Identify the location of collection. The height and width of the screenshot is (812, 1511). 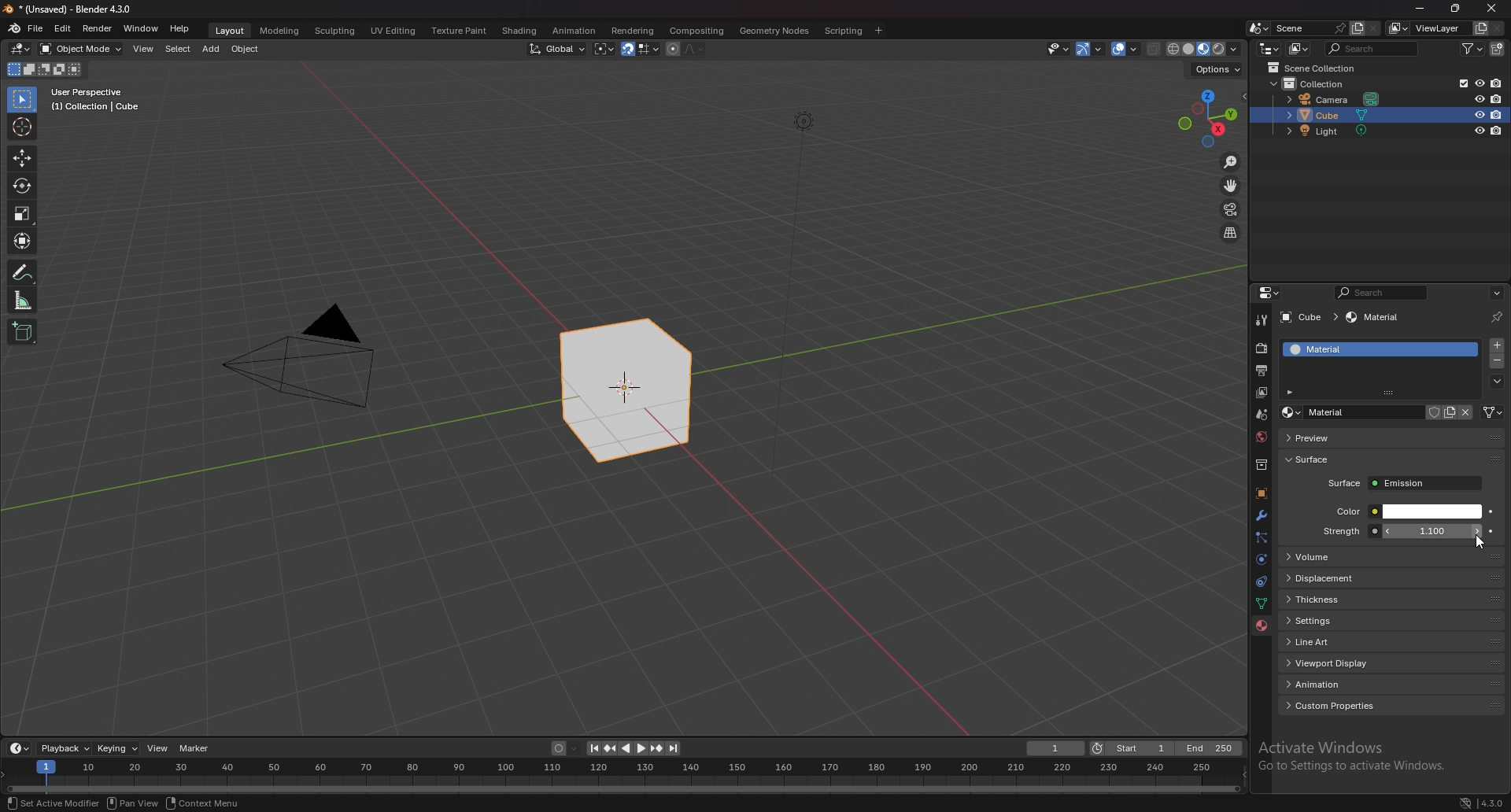
(1262, 465).